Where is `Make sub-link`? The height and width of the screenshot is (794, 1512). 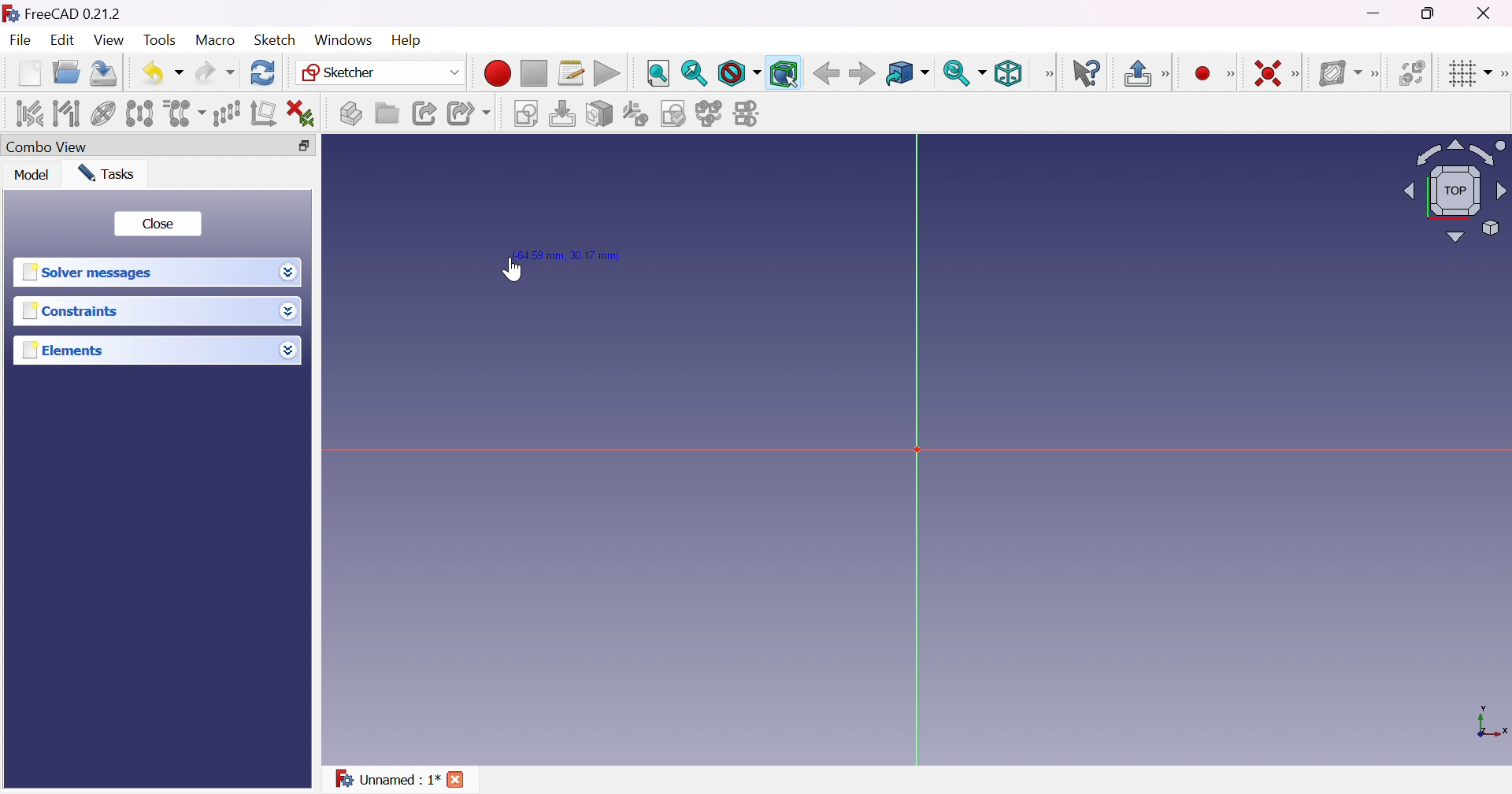 Make sub-link is located at coordinates (469, 113).